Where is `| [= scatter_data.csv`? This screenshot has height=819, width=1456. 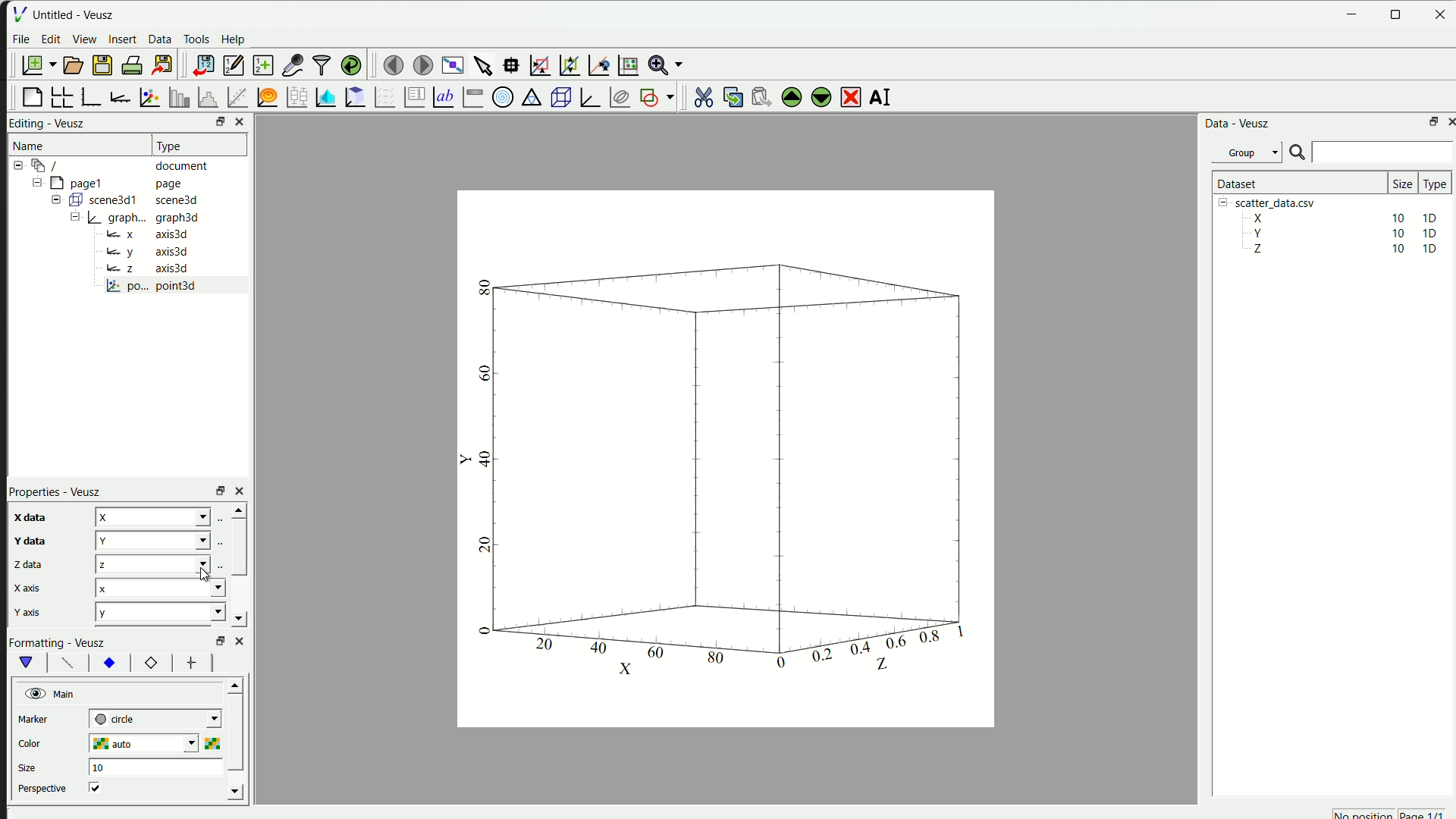
| [= scatter_data.csv is located at coordinates (1272, 202).